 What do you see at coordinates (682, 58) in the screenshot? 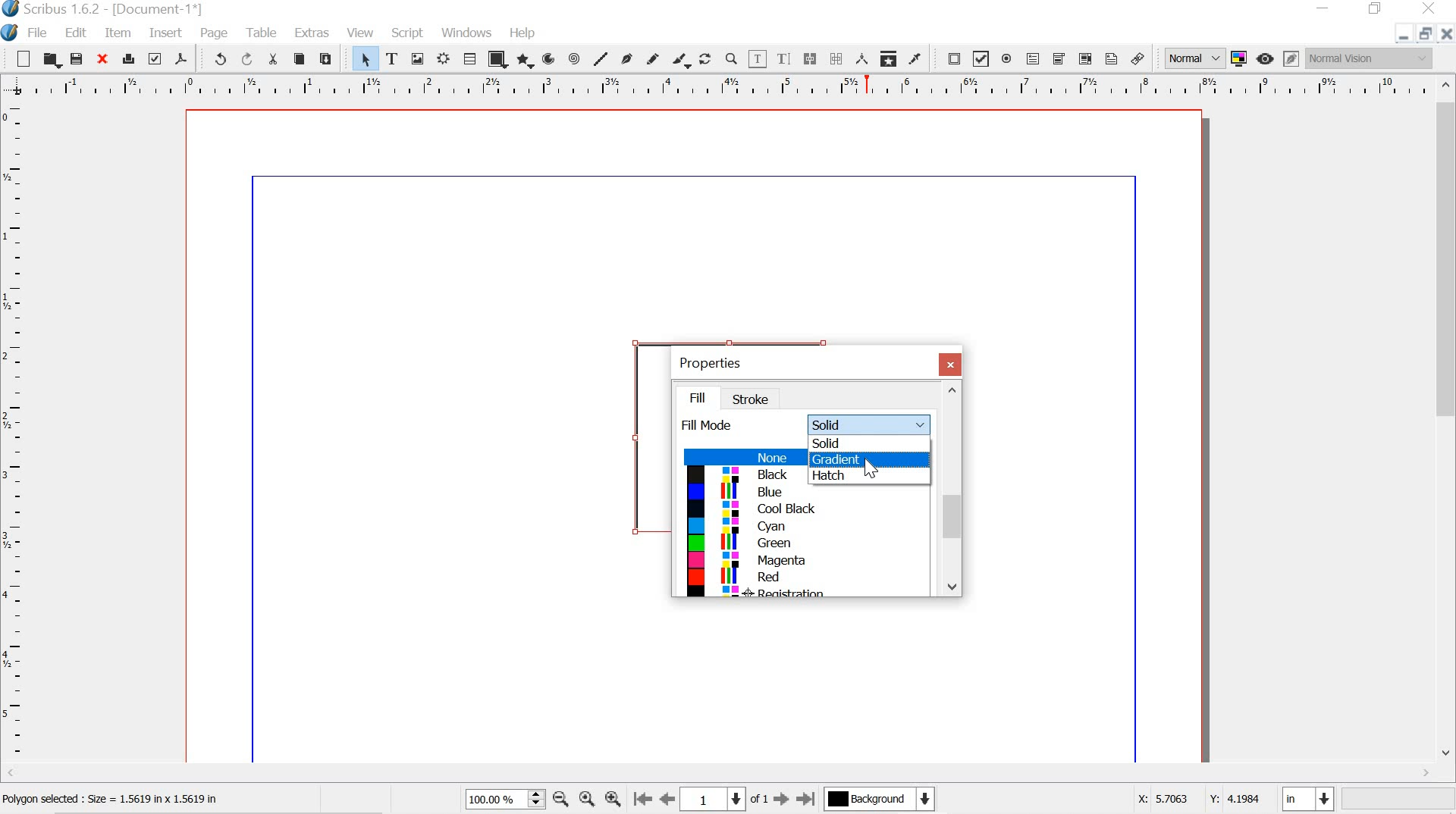
I see `calligraphic line` at bounding box center [682, 58].